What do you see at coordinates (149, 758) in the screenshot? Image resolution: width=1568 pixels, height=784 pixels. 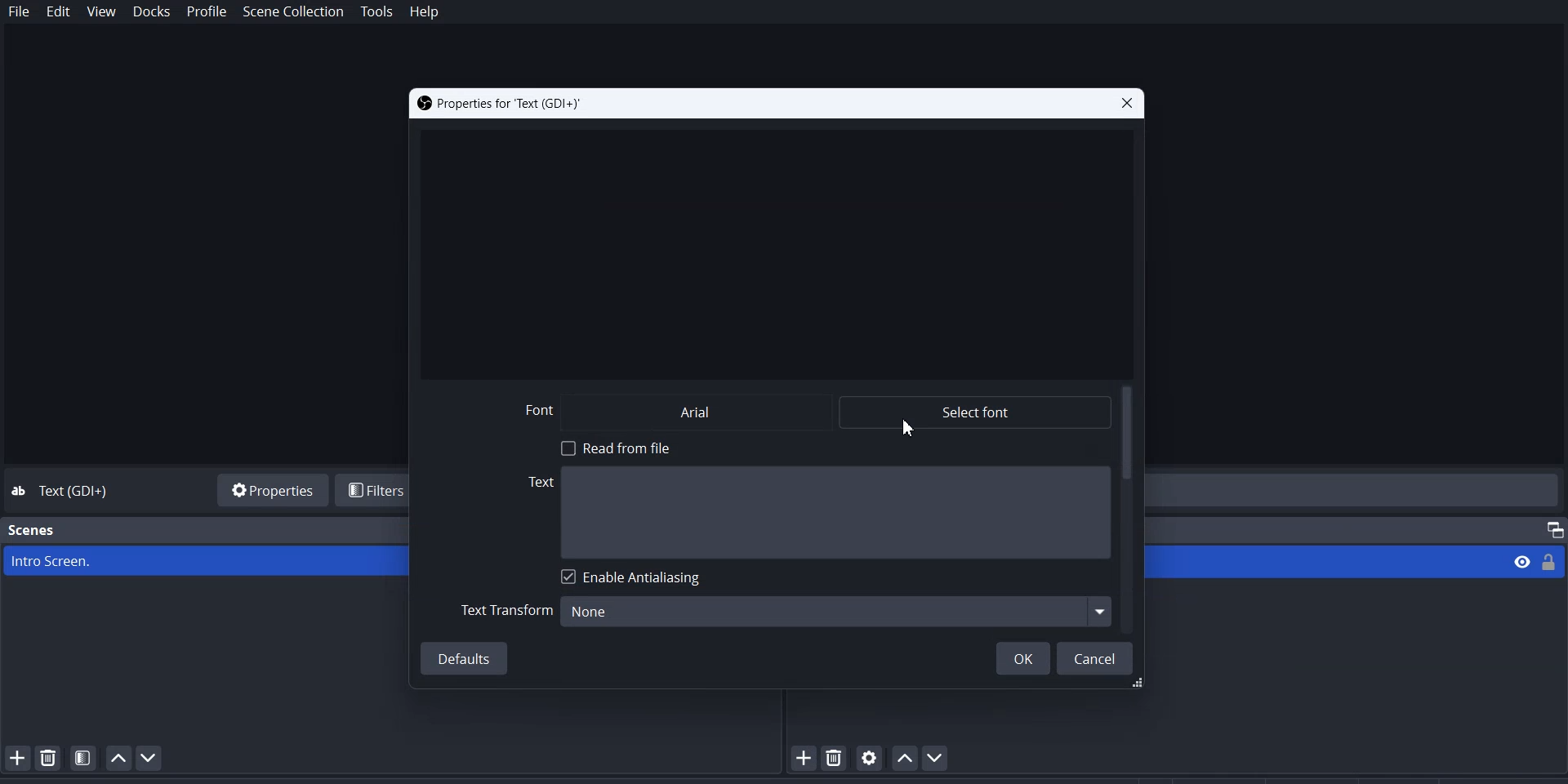 I see `Move scene Down` at bounding box center [149, 758].